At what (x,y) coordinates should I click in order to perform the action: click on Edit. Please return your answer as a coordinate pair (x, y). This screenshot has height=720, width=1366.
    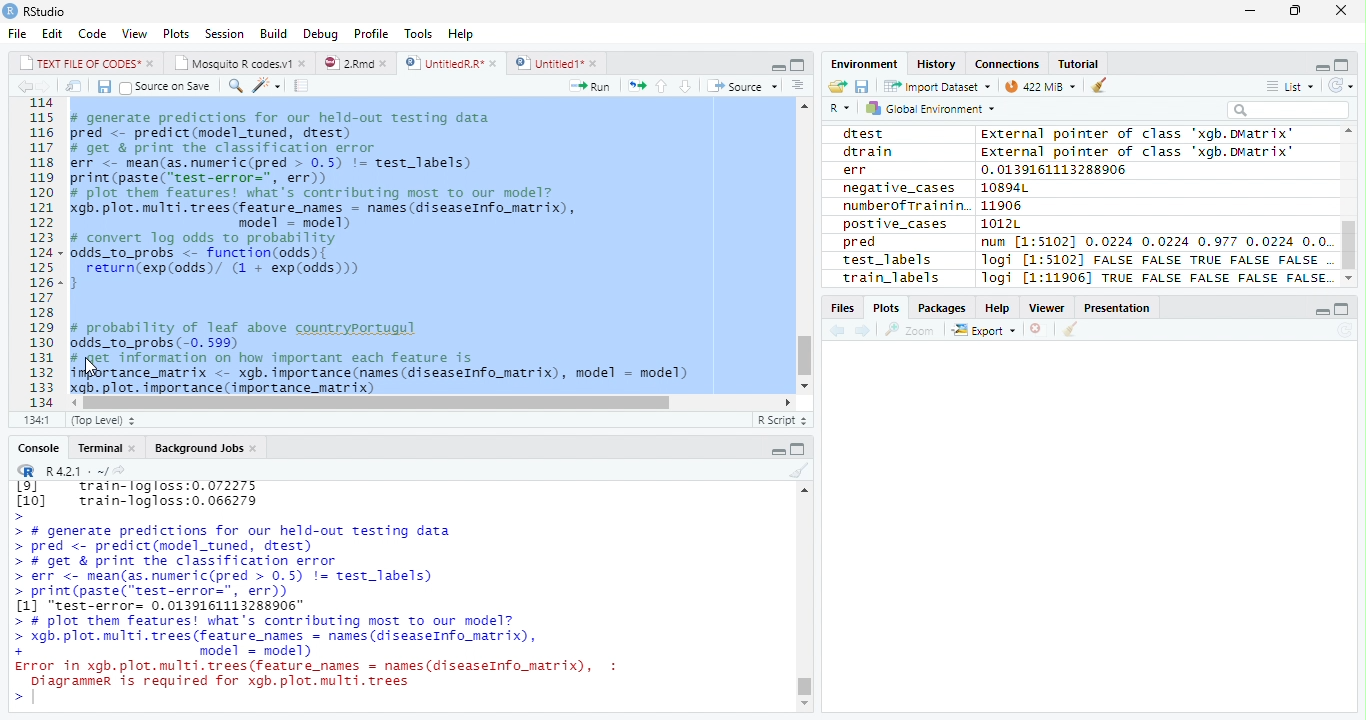
    Looking at the image, I should click on (50, 33).